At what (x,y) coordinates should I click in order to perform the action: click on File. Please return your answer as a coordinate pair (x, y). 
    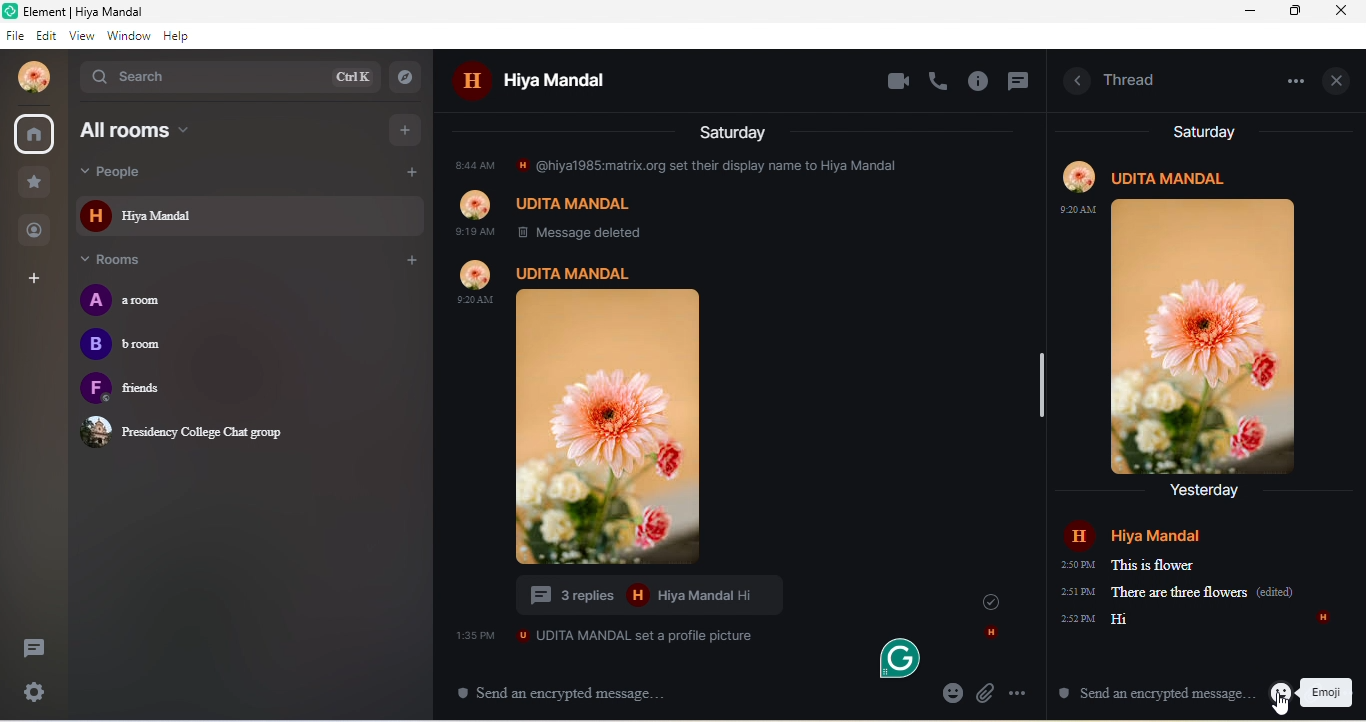
    Looking at the image, I should click on (16, 35).